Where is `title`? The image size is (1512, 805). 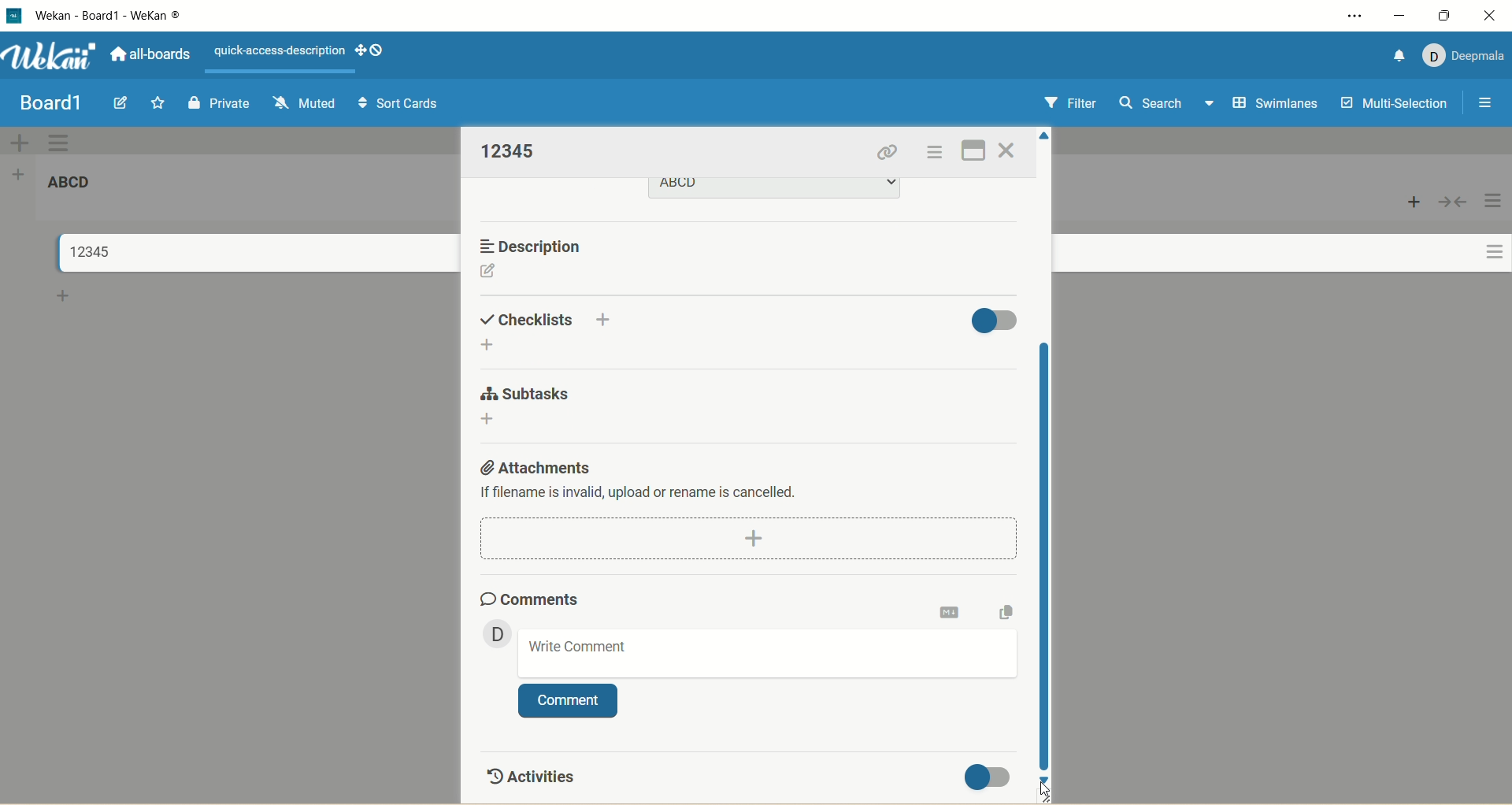 title is located at coordinates (50, 103).